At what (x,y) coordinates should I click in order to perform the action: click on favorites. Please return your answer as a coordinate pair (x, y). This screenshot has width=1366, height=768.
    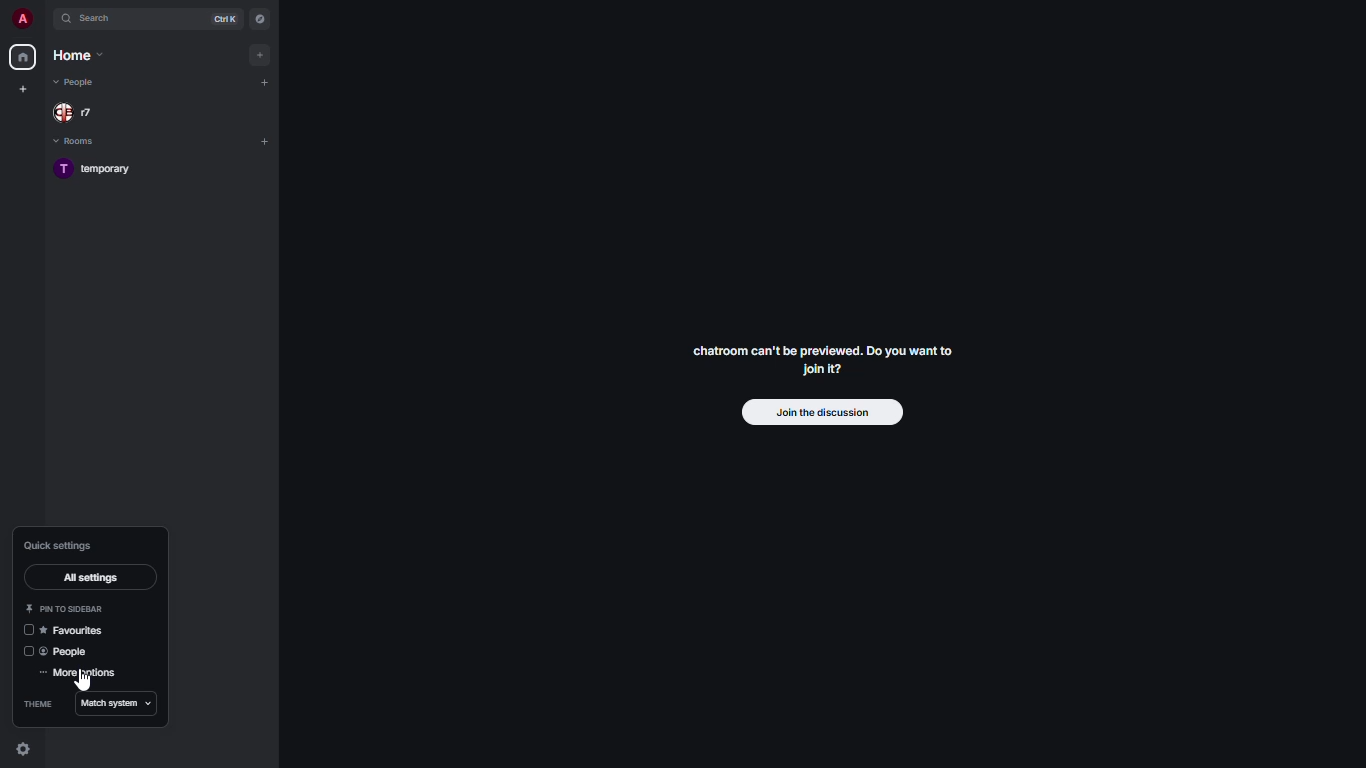
    Looking at the image, I should click on (78, 629).